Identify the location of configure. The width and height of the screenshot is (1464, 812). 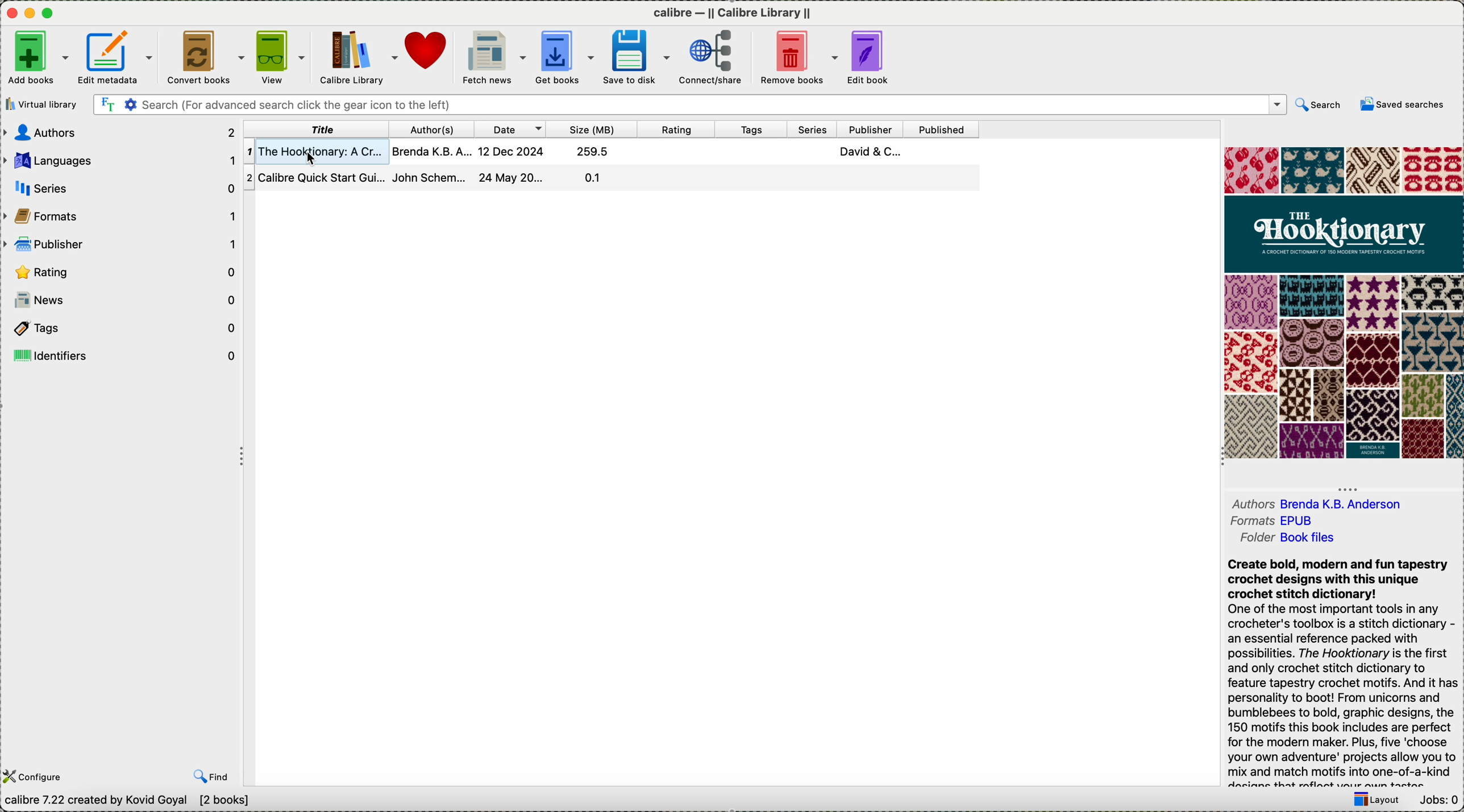
(48, 768).